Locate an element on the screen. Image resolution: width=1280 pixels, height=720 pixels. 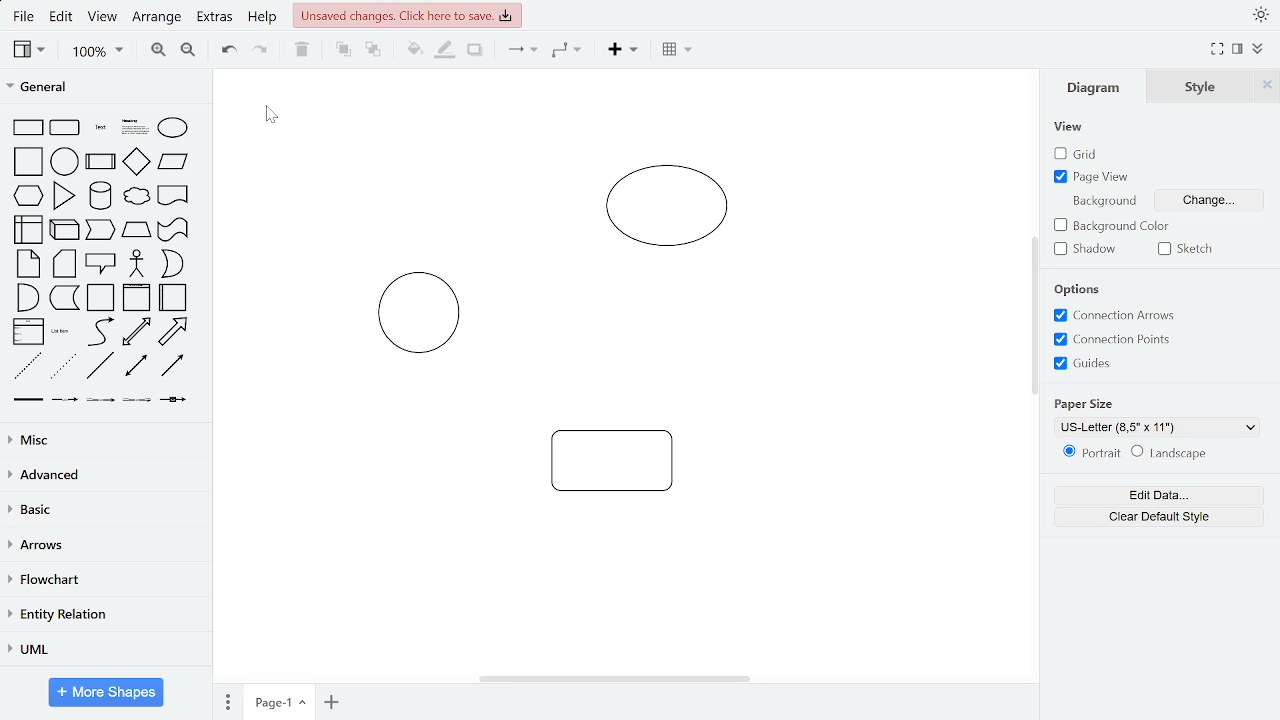
note is located at coordinates (28, 264).